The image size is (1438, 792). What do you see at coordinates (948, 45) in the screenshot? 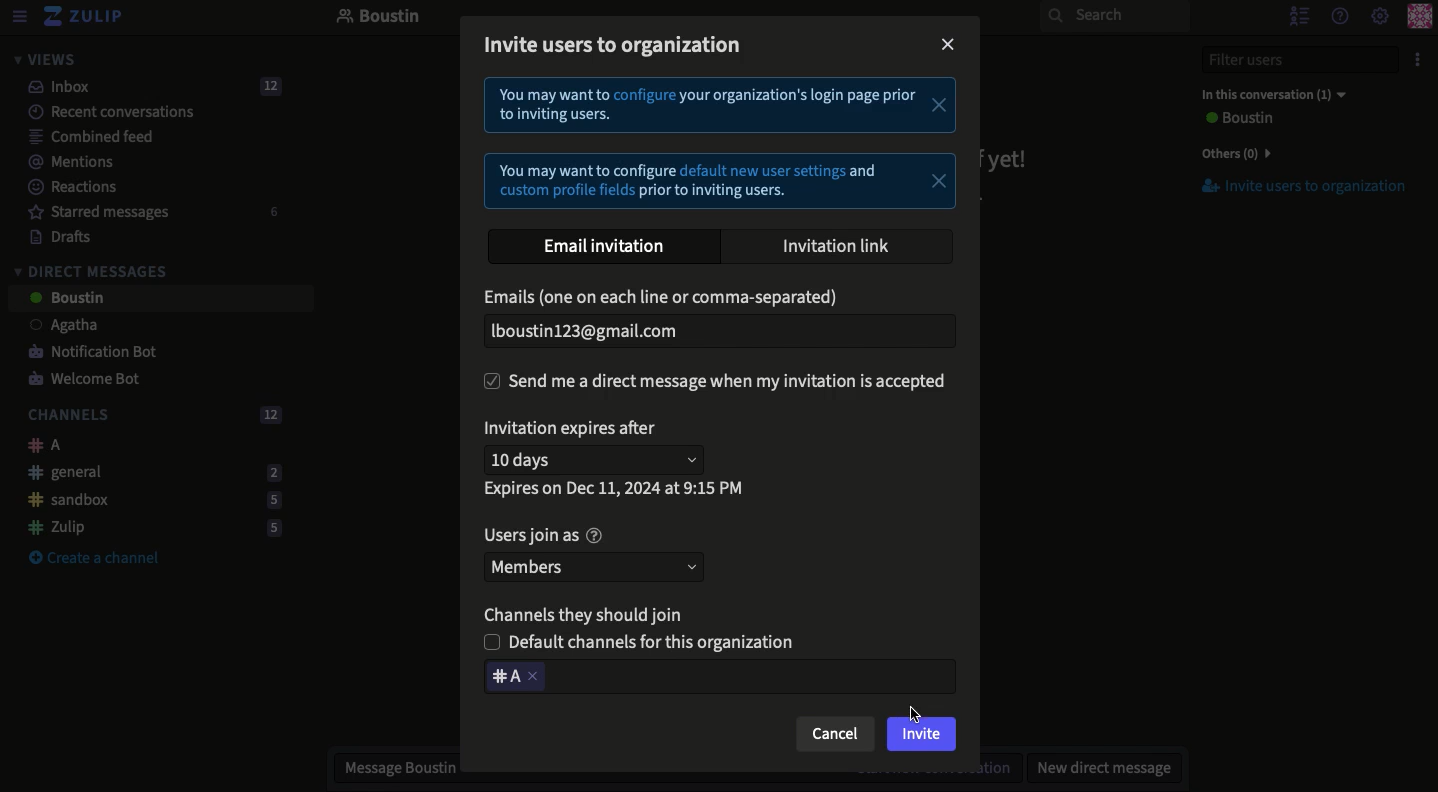
I see `` at bounding box center [948, 45].